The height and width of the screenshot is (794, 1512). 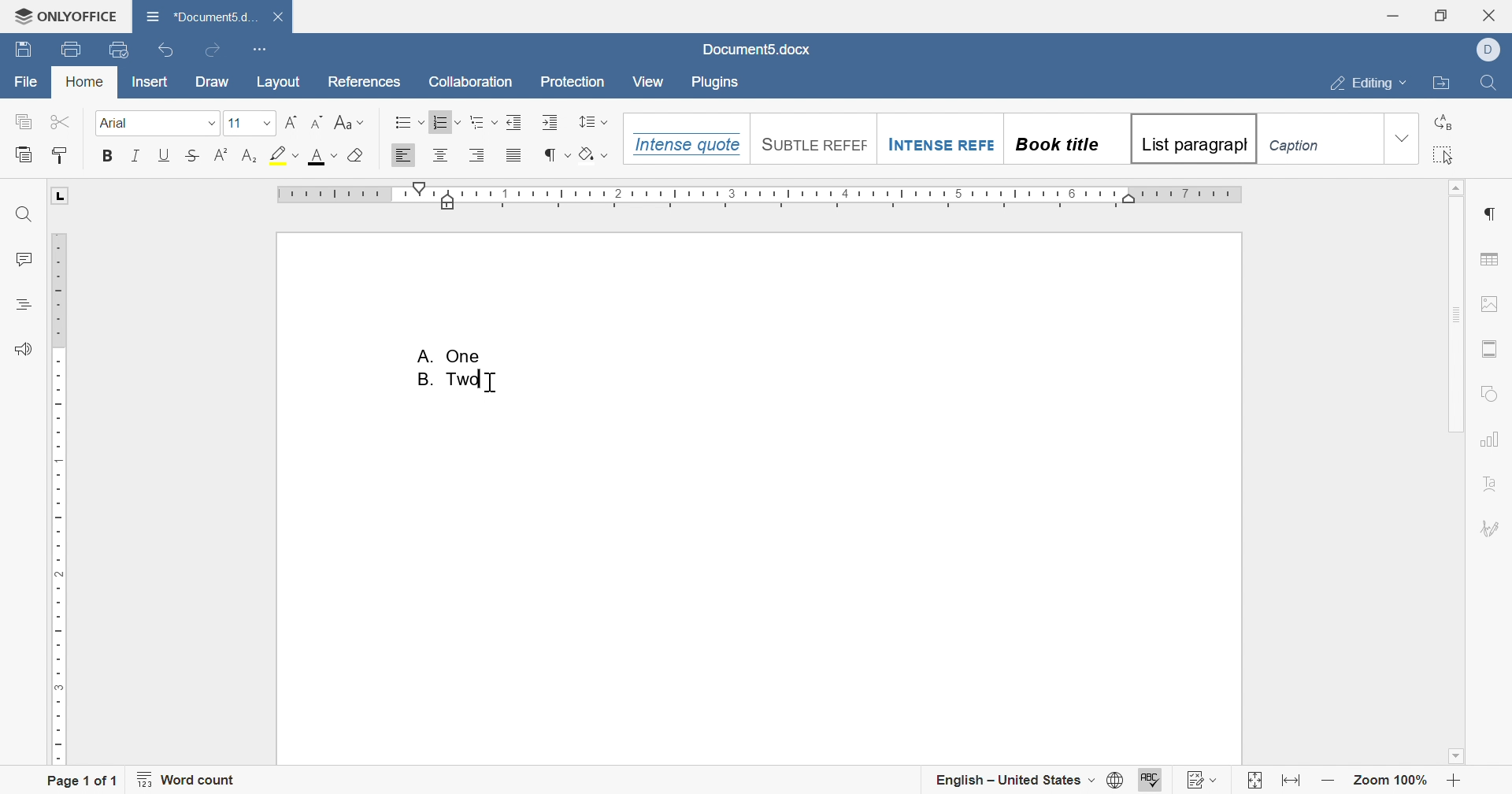 I want to click on undo, so click(x=165, y=50).